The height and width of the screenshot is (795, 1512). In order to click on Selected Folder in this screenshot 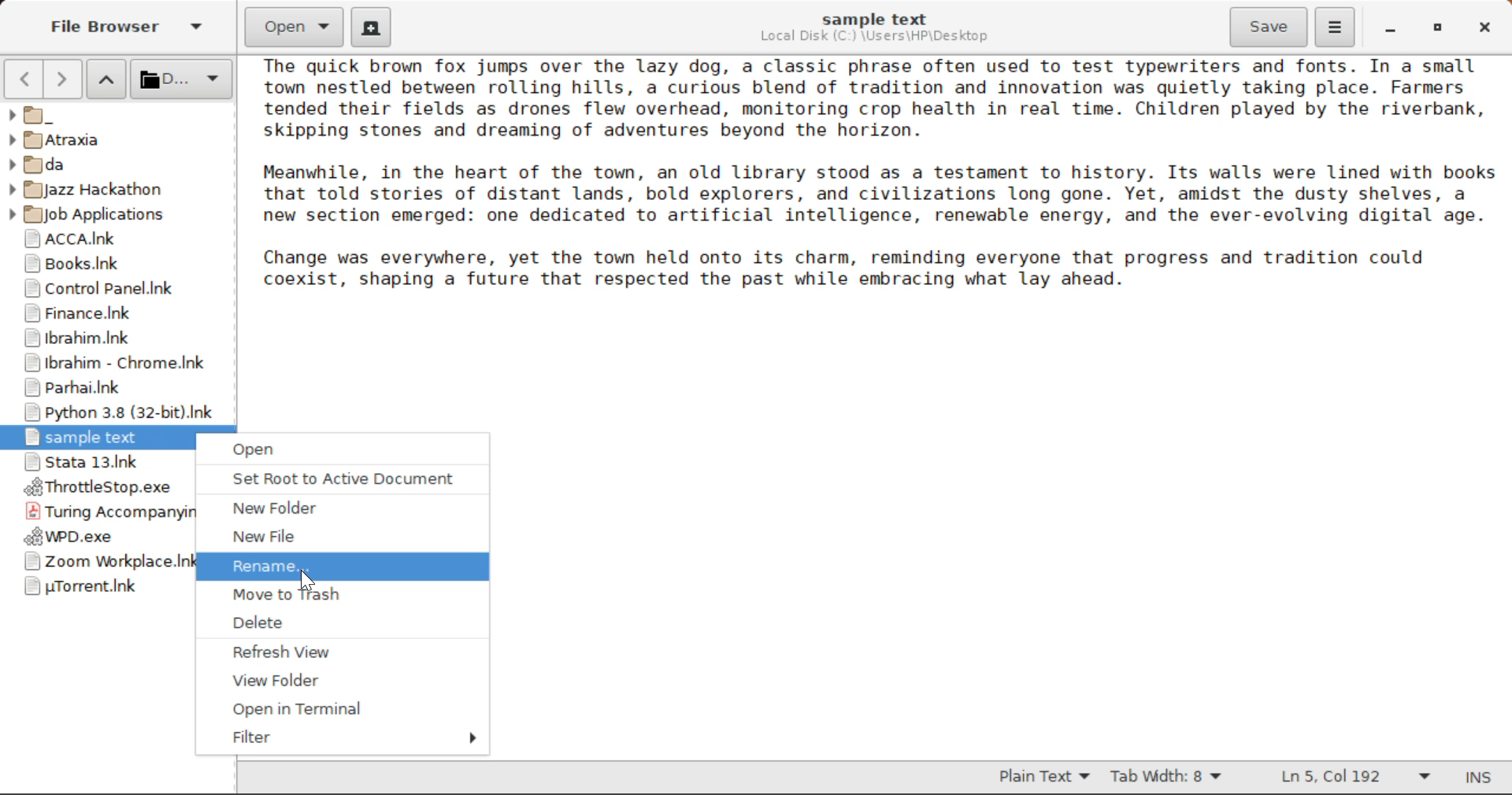, I will do `click(180, 79)`.